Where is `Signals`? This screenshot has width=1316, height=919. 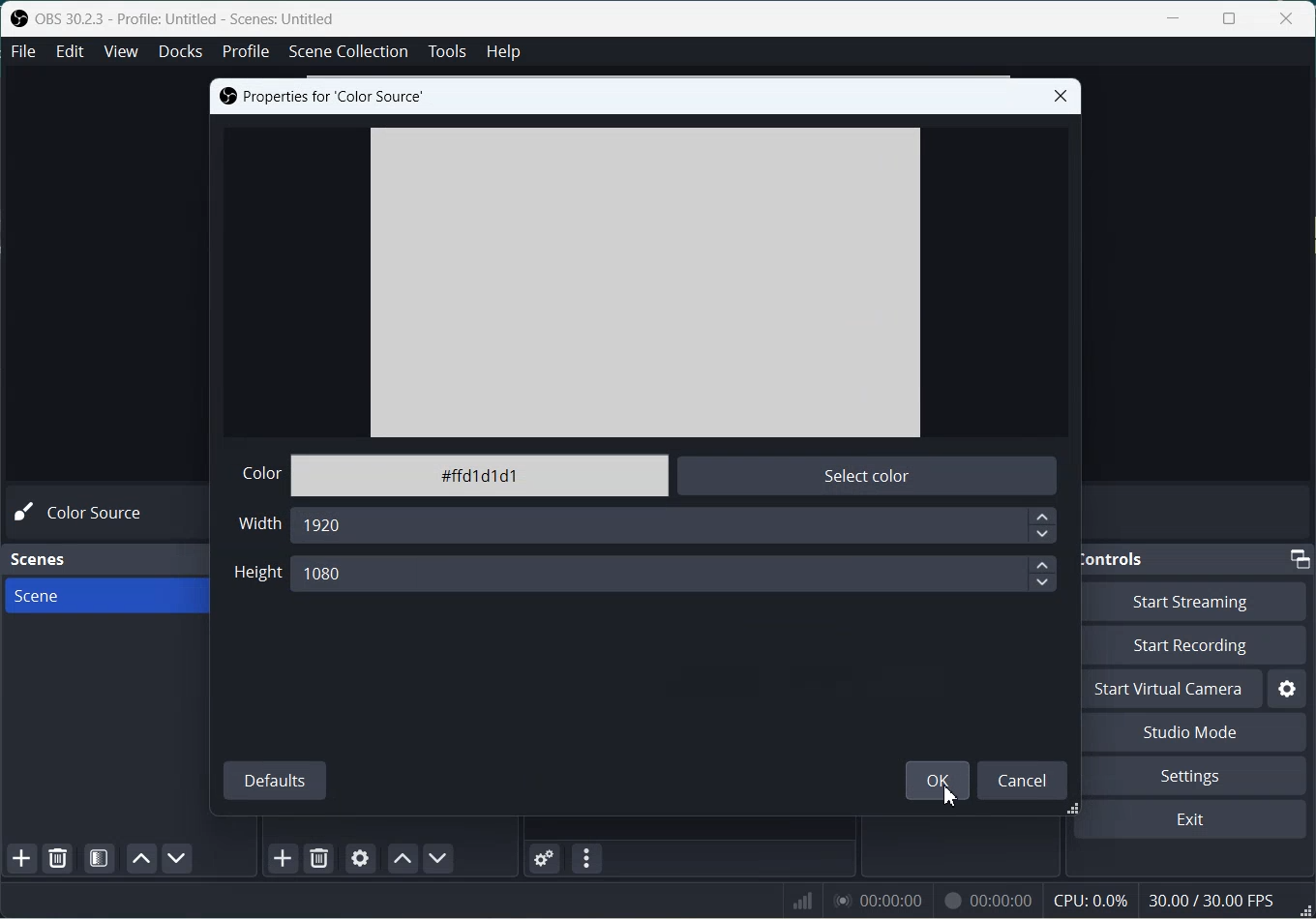
Signals is located at coordinates (795, 898).